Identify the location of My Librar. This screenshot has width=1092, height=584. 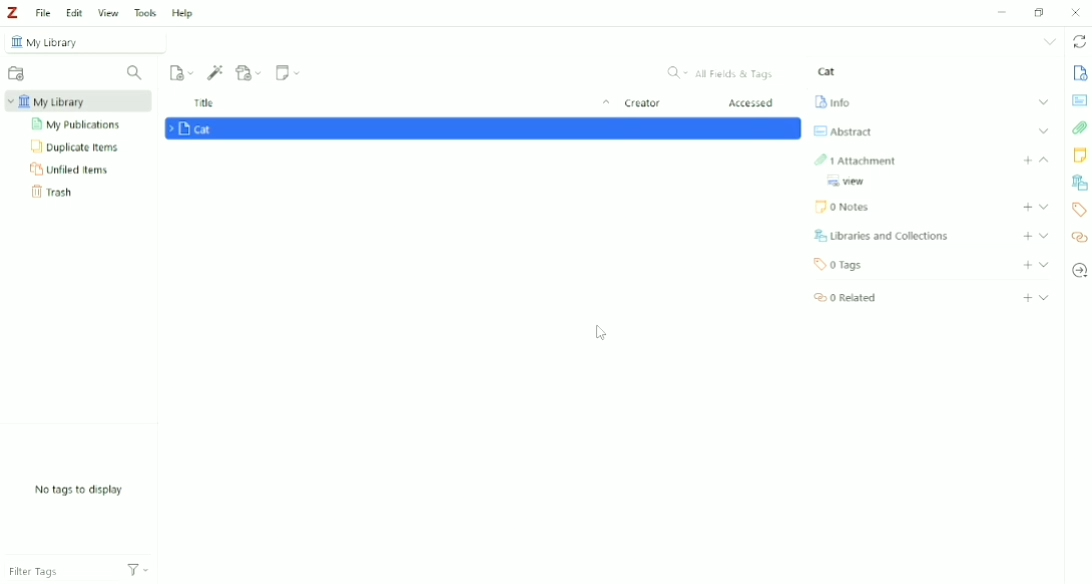
(79, 101).